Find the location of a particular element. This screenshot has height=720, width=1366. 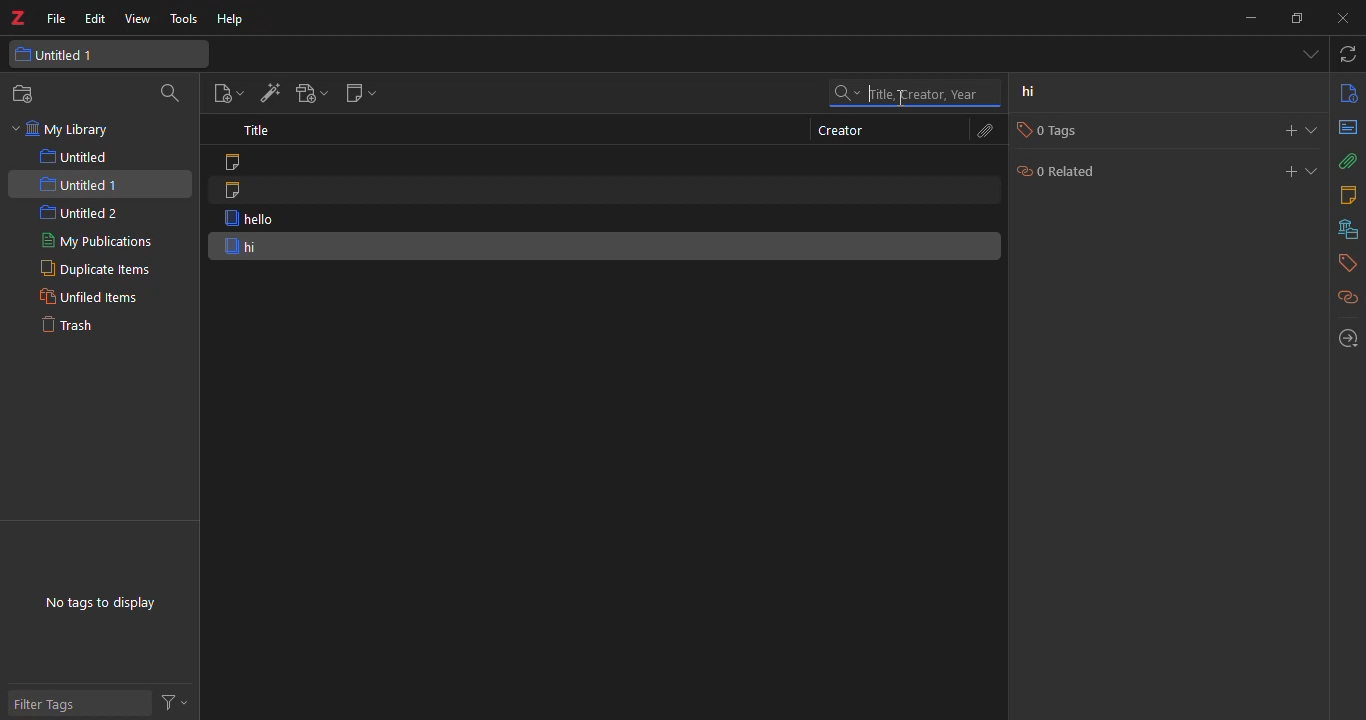

expand is located at coordinates (1315, 130).